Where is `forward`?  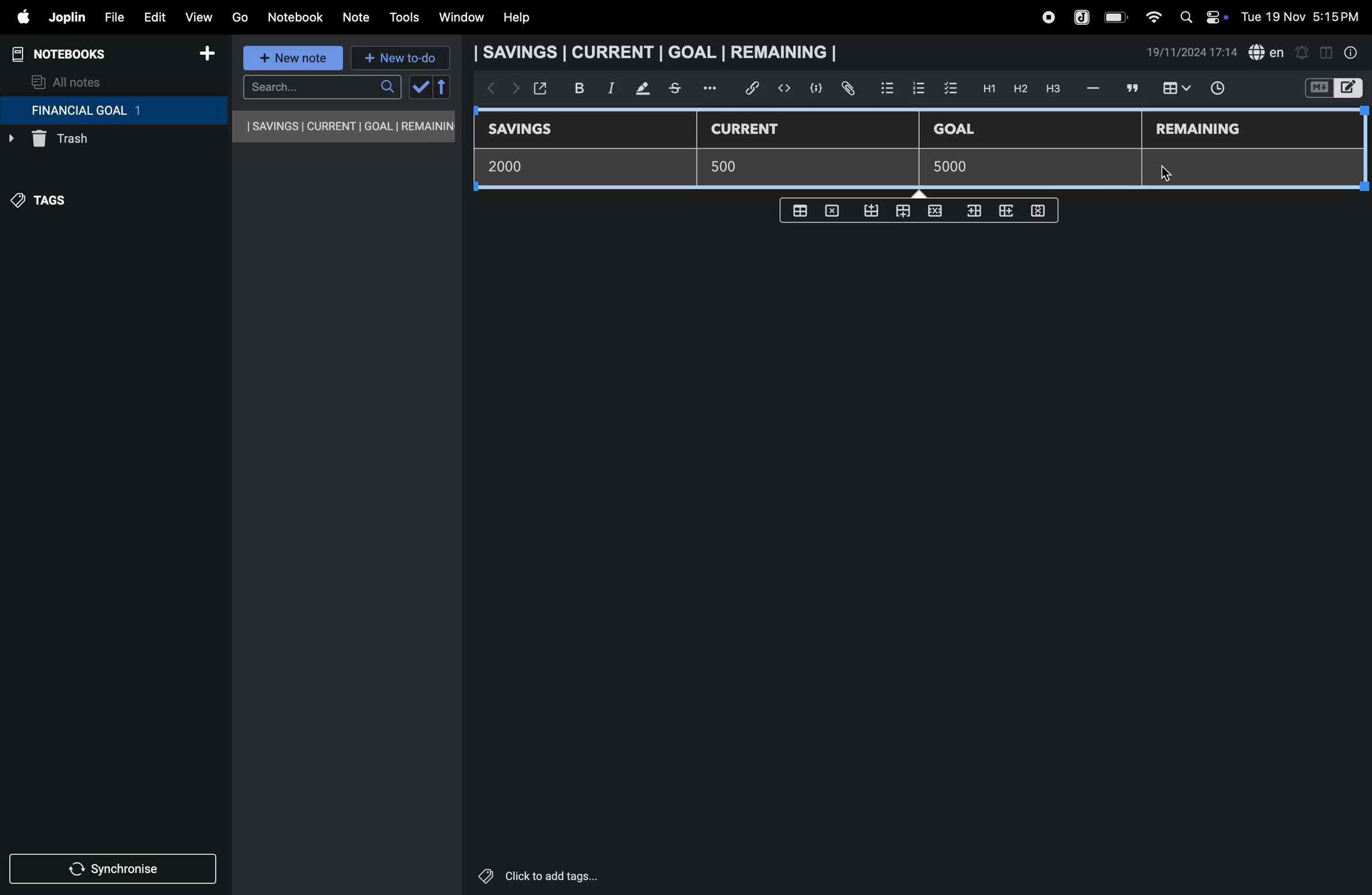 forward is located at coordinates (512, 91).